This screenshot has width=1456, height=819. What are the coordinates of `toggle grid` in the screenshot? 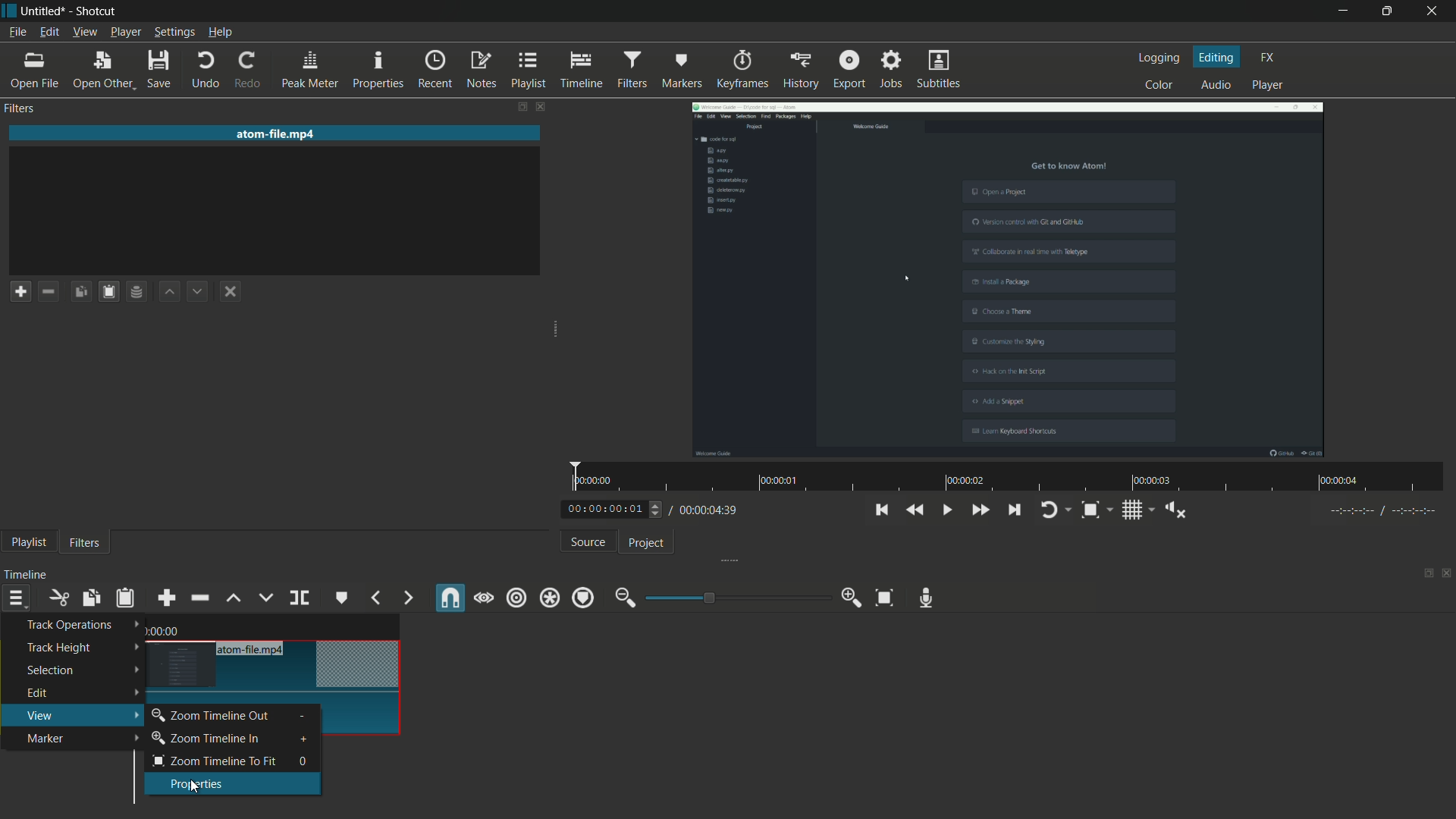 It's located at (1131, 510).